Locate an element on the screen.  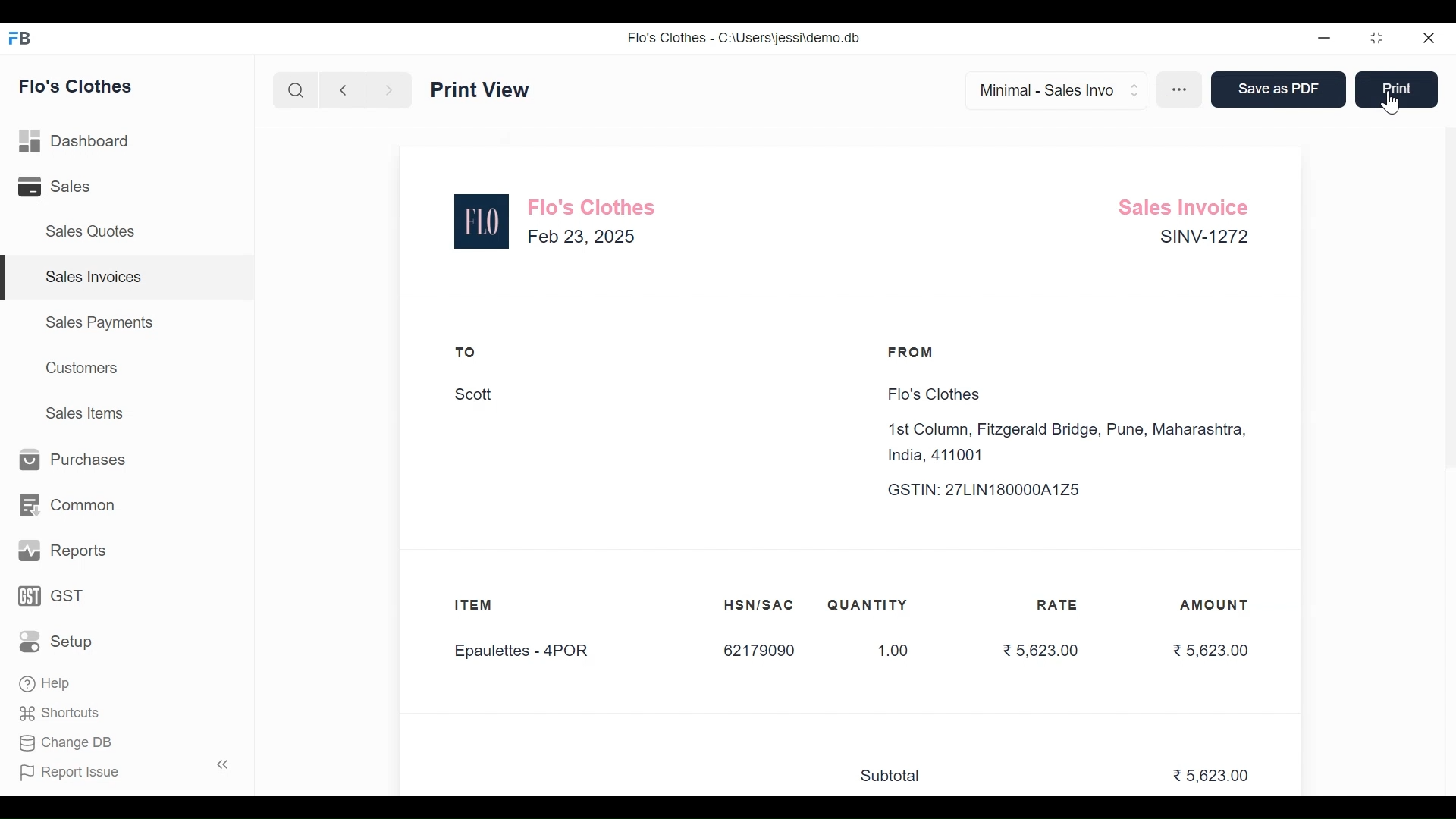
Setup is located at coordinates (56, 640).